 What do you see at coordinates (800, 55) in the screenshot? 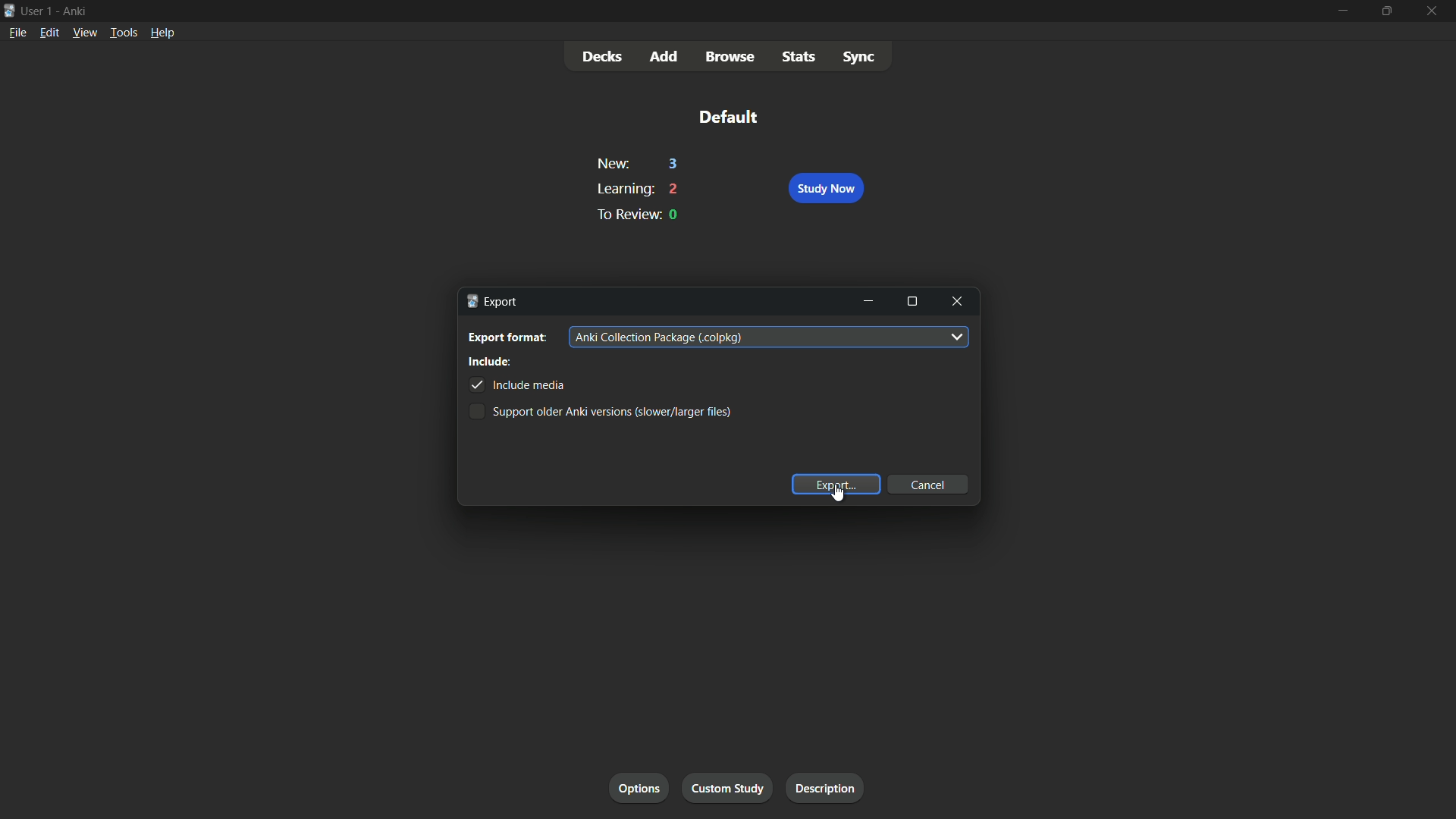
I see `stats` at bounding box center [800, 55].